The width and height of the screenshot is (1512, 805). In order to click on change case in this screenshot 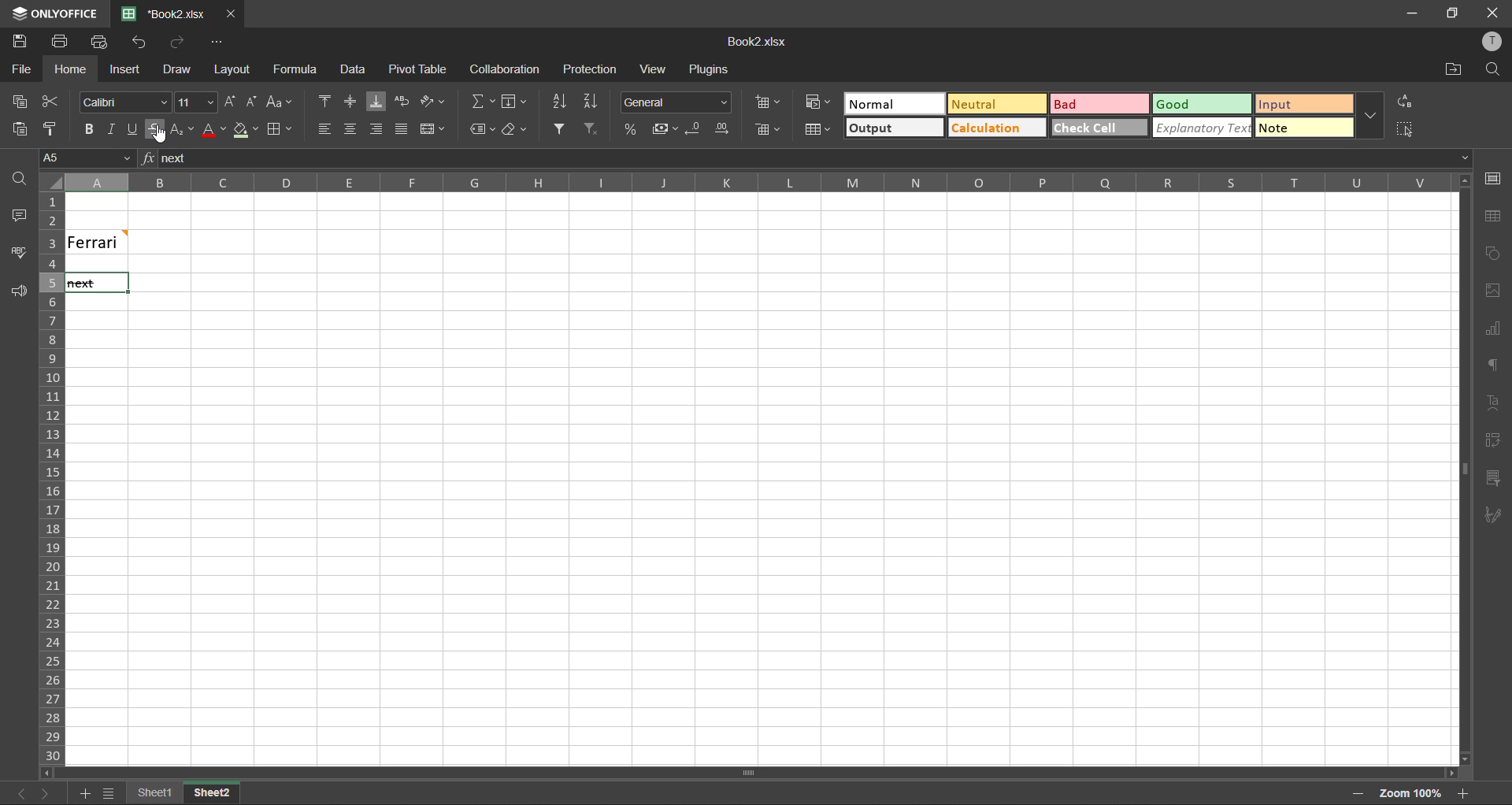, I will do `click(280, 105)`.